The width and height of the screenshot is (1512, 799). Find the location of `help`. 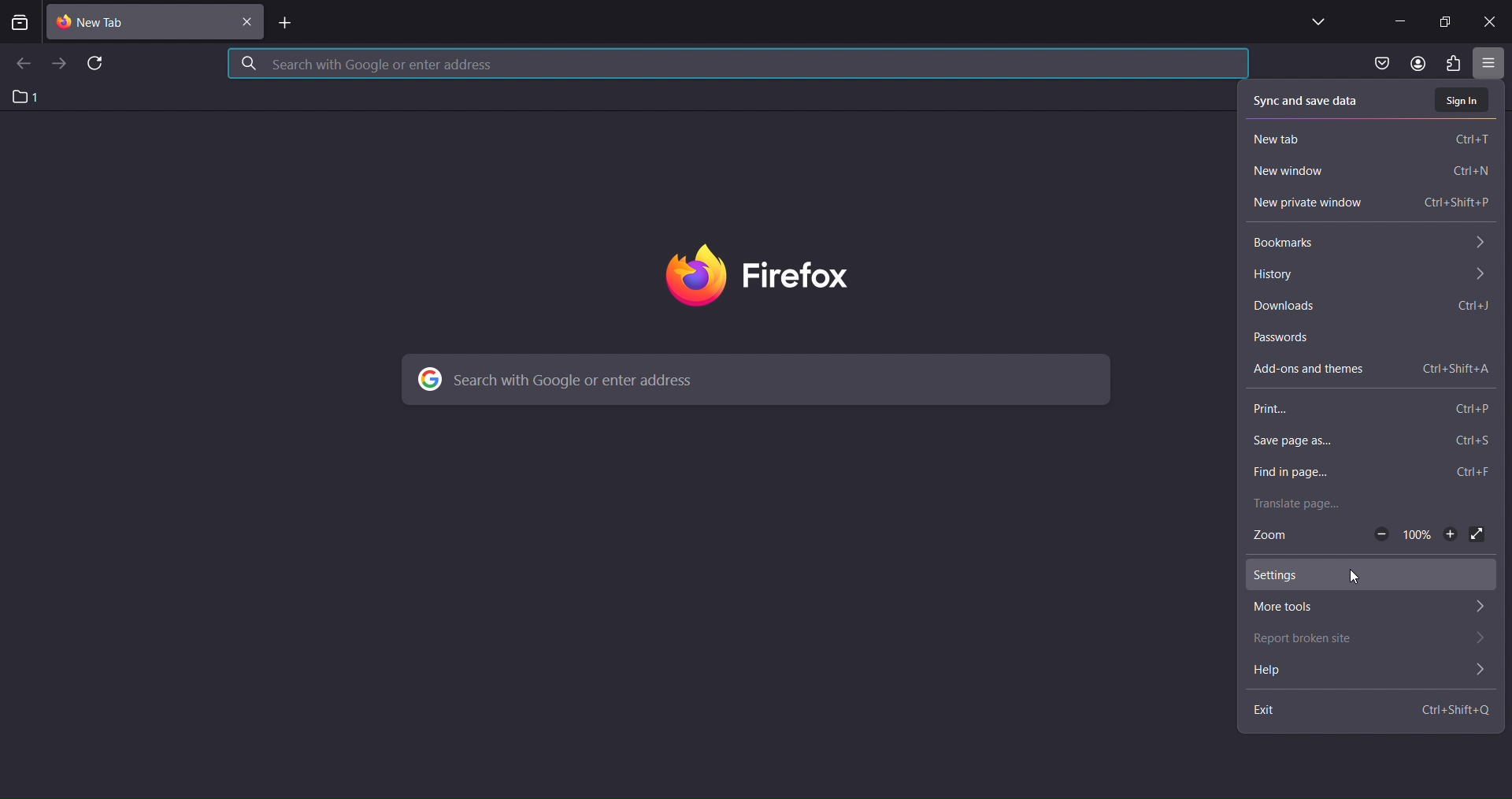

help is located at coordinates (1369, 669).